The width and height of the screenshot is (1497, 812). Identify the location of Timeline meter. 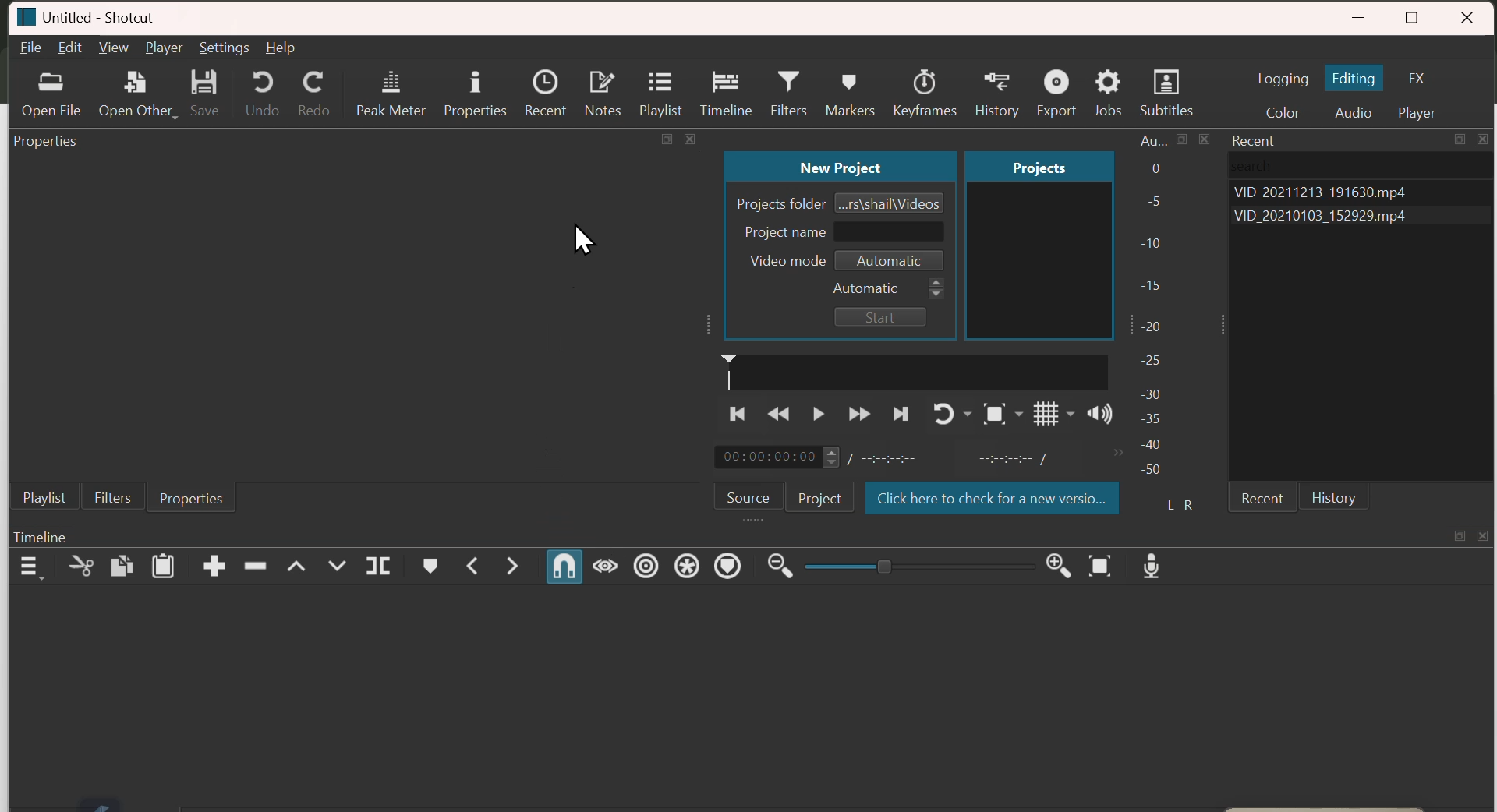
(895, 457).